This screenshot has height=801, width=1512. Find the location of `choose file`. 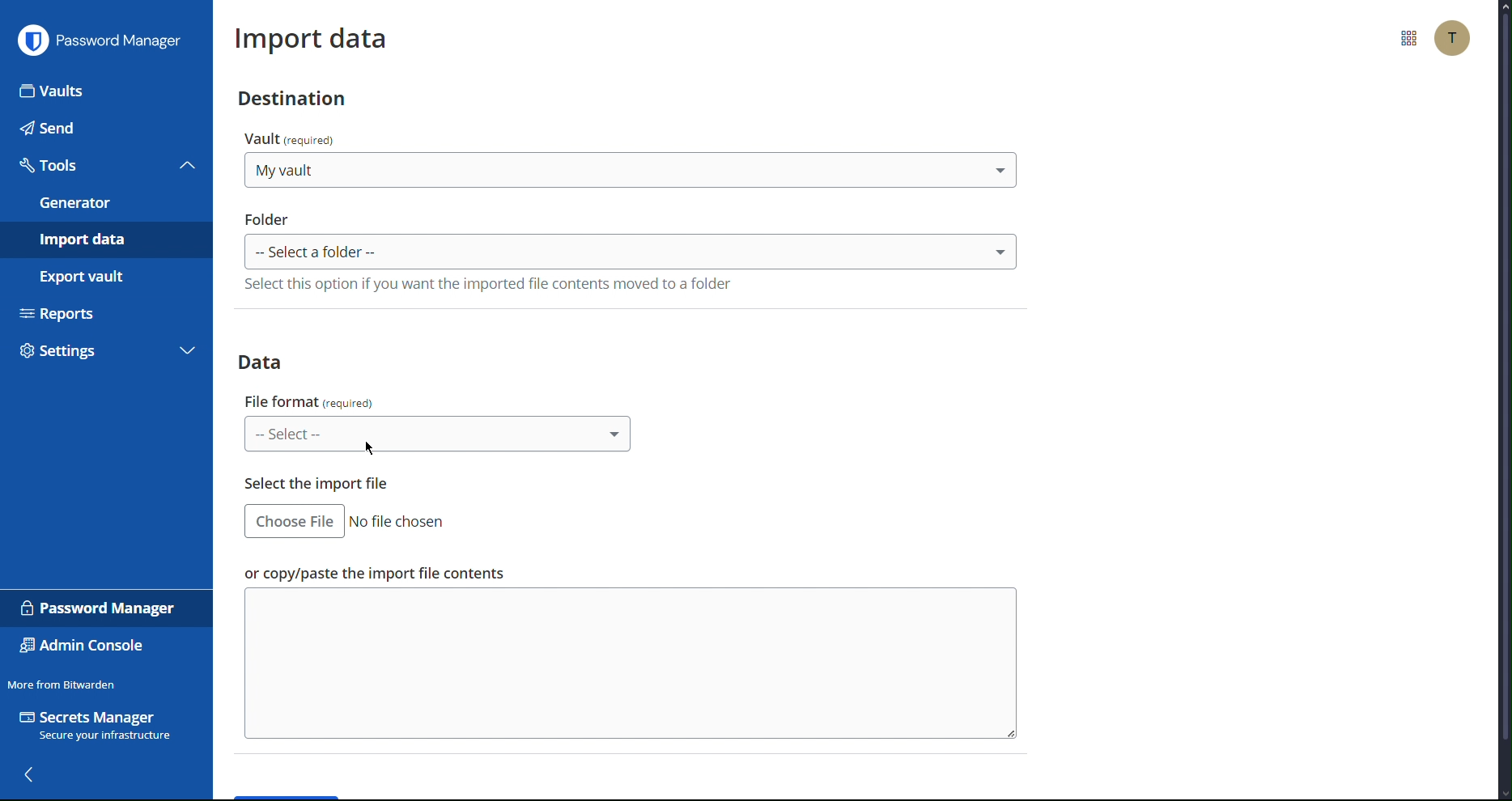

choose file is located at coordinates (294, 520).